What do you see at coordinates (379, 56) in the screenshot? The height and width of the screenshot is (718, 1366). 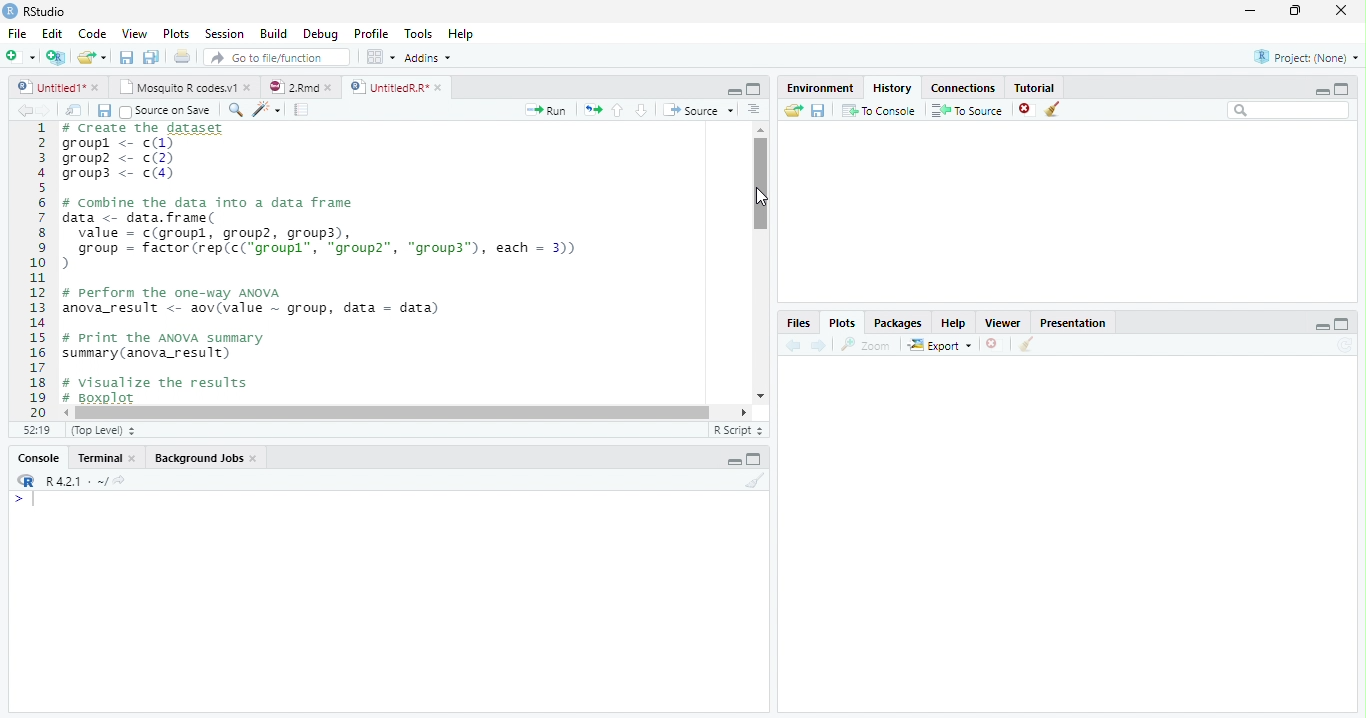 I see `Workspace pane` at bounding box center [379, 56].